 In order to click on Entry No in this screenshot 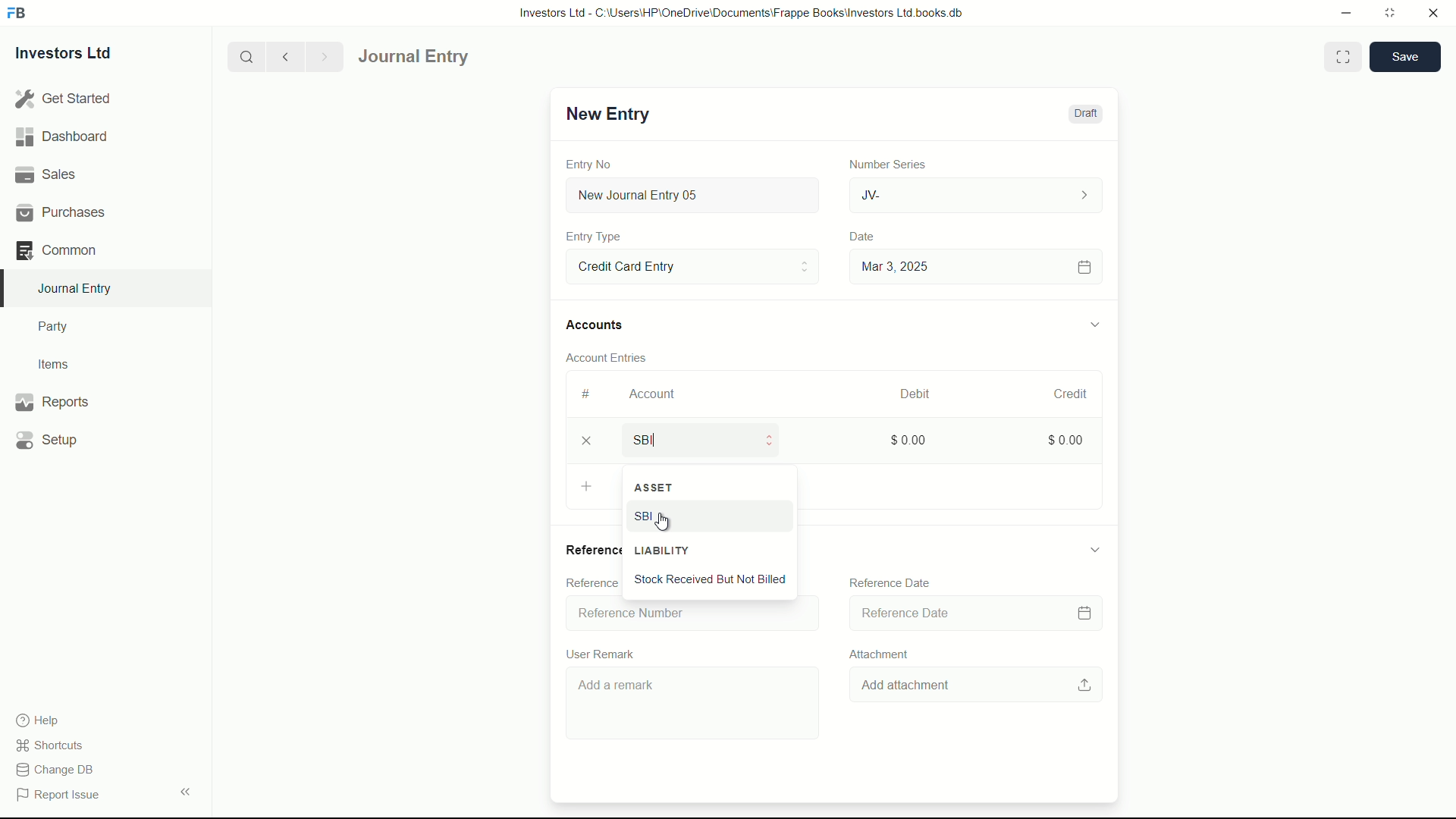, I will do `click(591, 162)`.